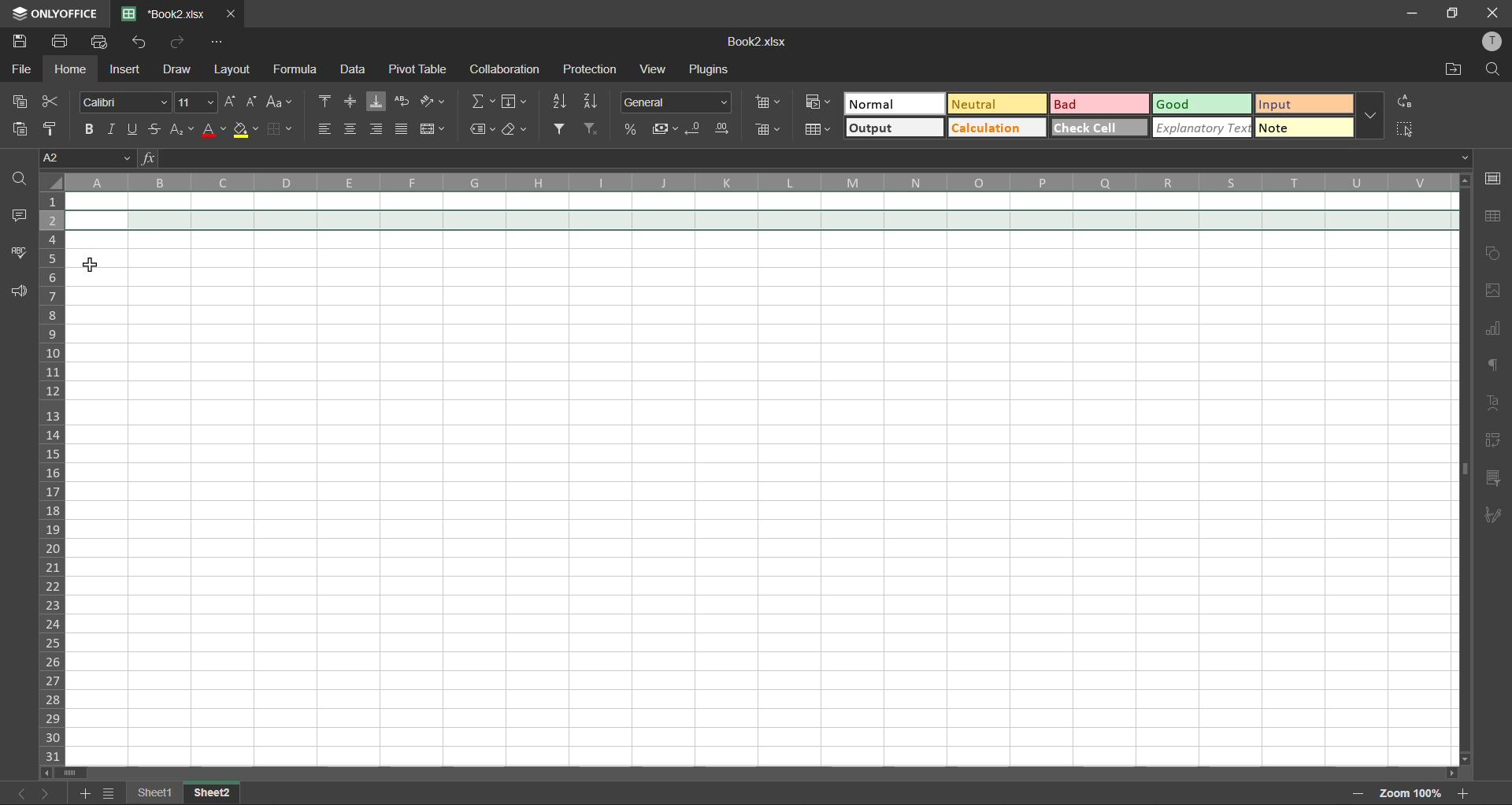  Describe the element at coordinates (141, 43) in the screenshot. I see `undo` at that location.